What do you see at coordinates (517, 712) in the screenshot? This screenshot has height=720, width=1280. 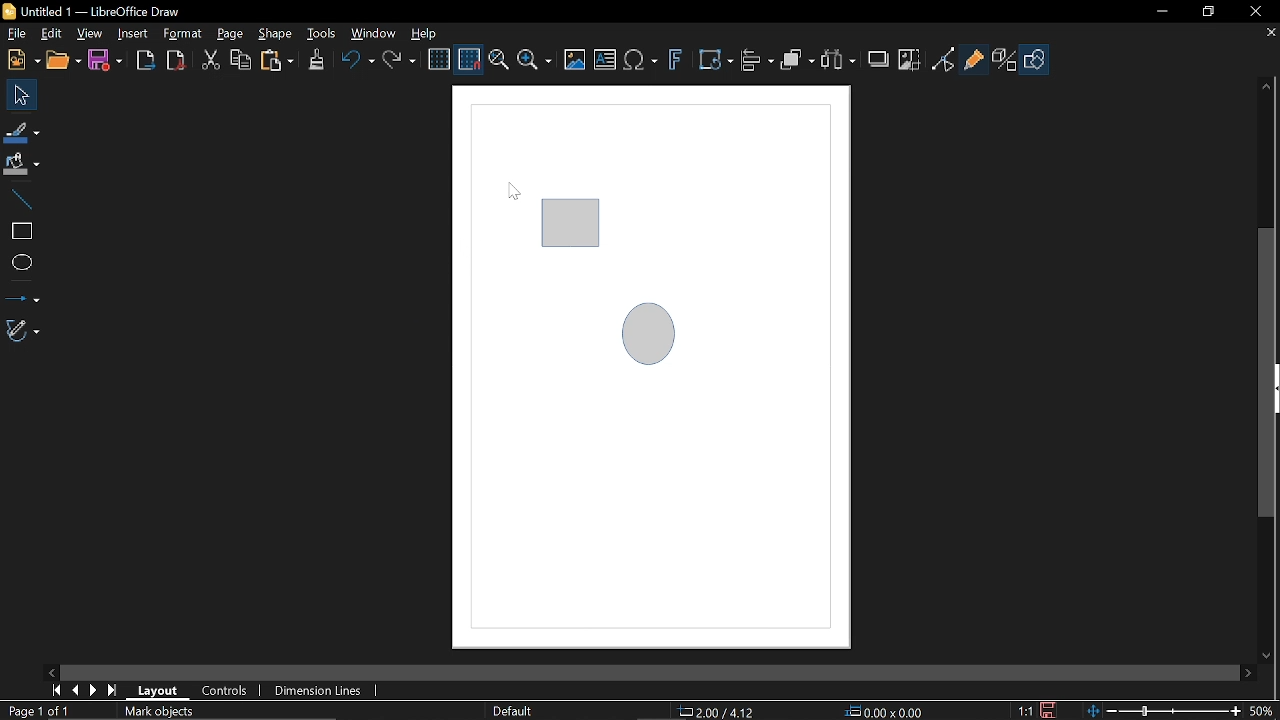 I see `Slide master name` at bounding box center [517, 712].